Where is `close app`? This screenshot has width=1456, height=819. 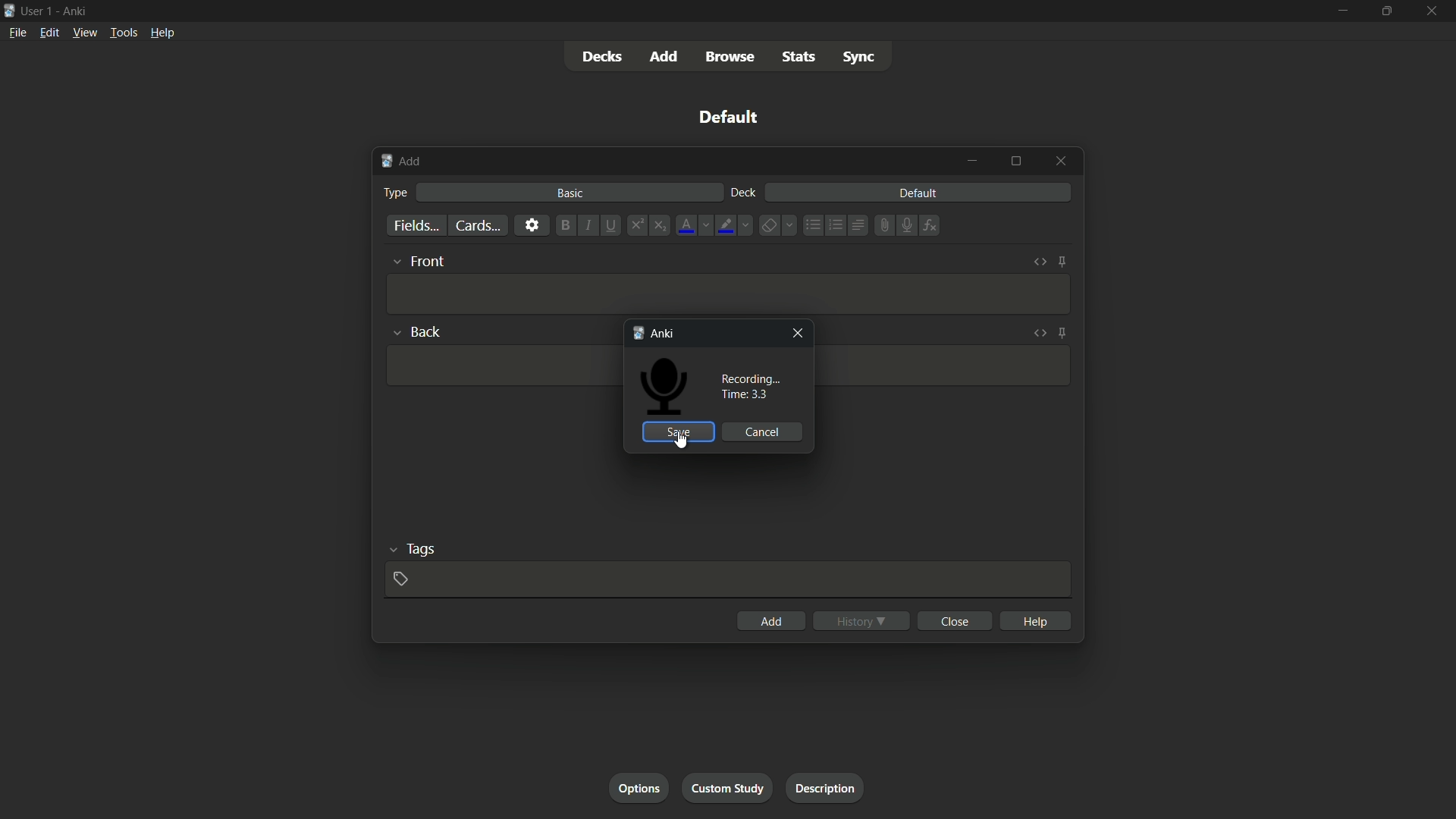 close app is located at coordinates (1433, 11).